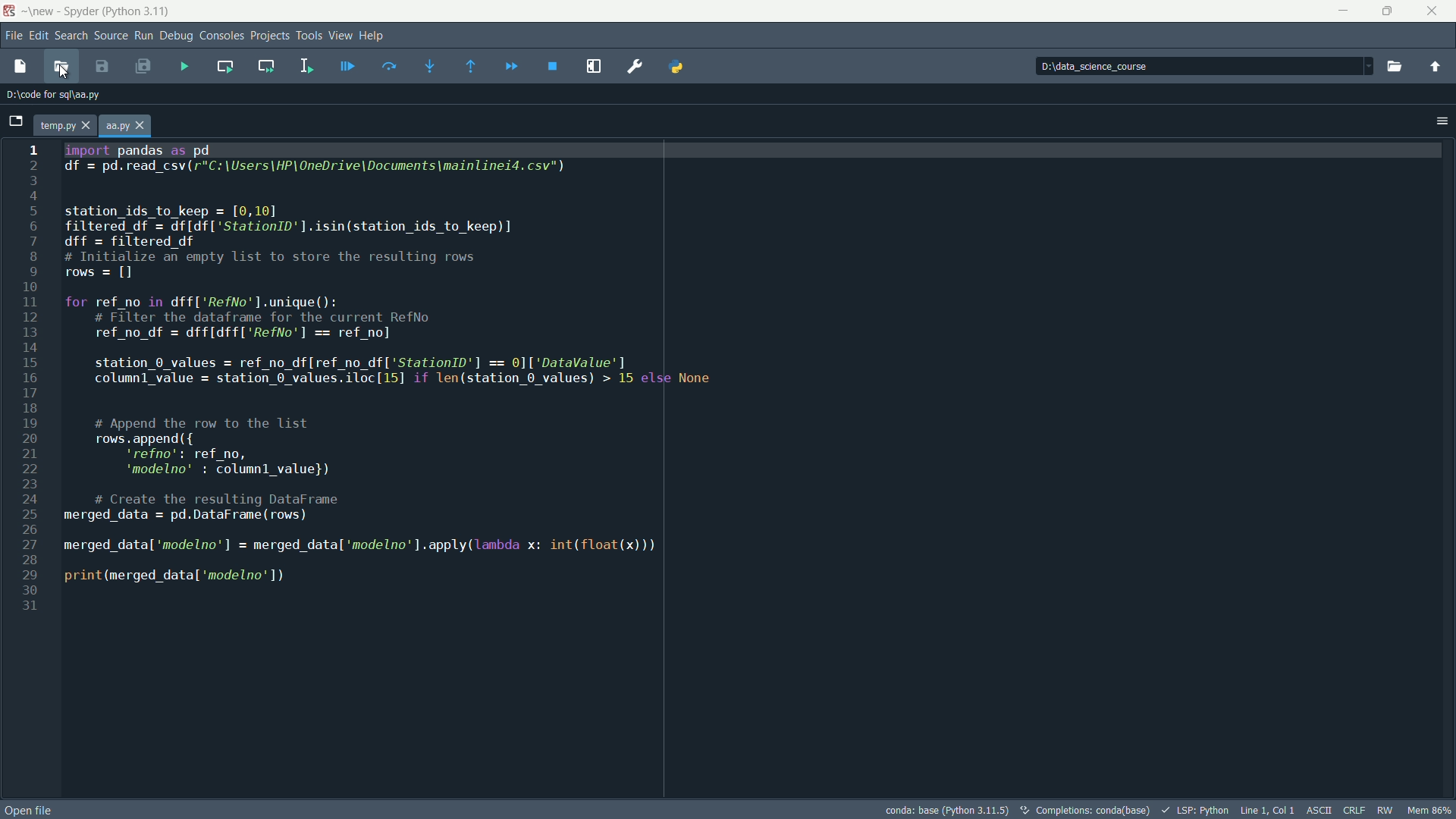  I want to click on Directory, so click(62, 96).